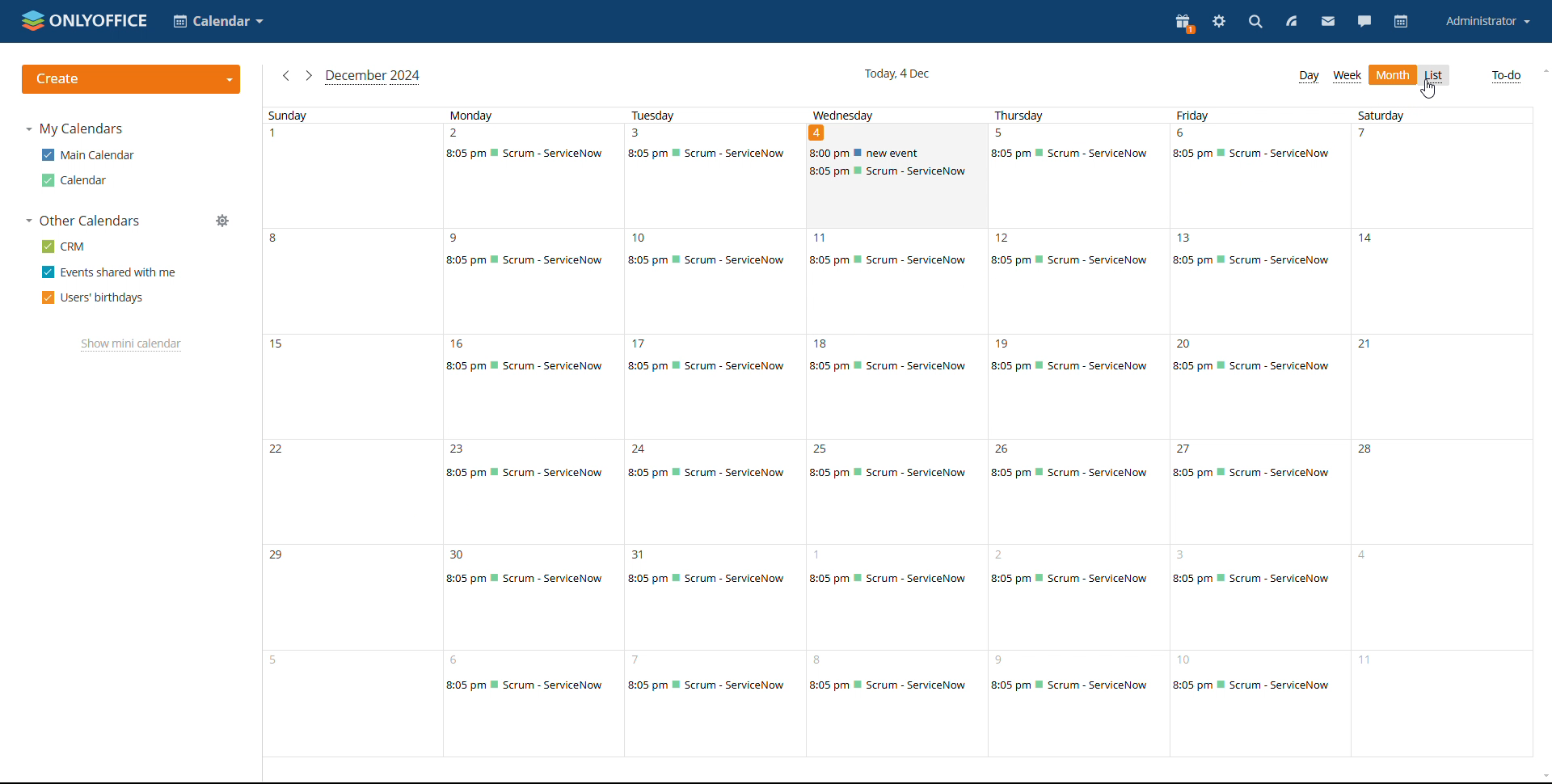  Describe the element at coordinates (527, 114) in the screenshot. I see `monday` at that location.